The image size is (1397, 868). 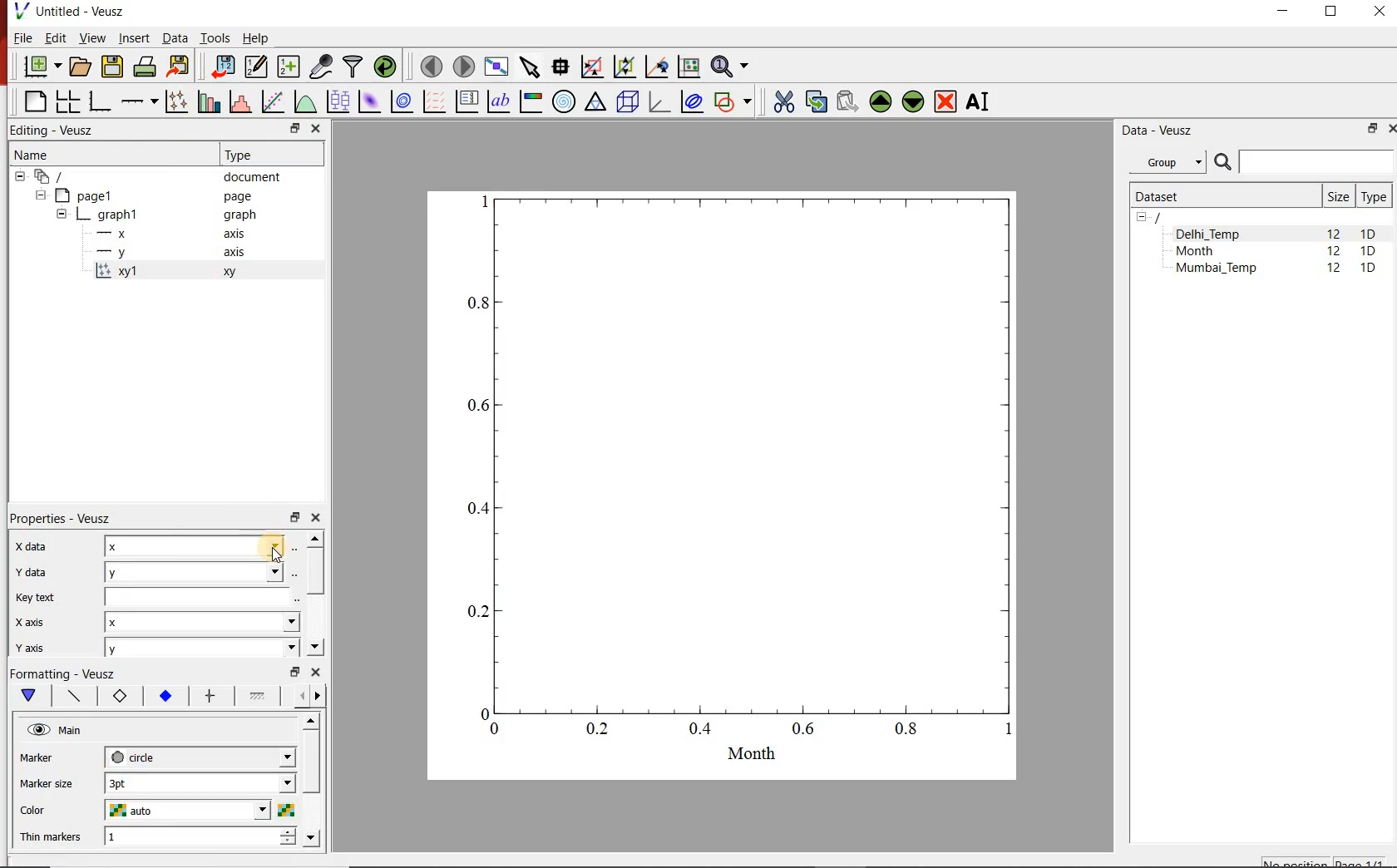 I want to click on text label, so click(x=498, y=101).